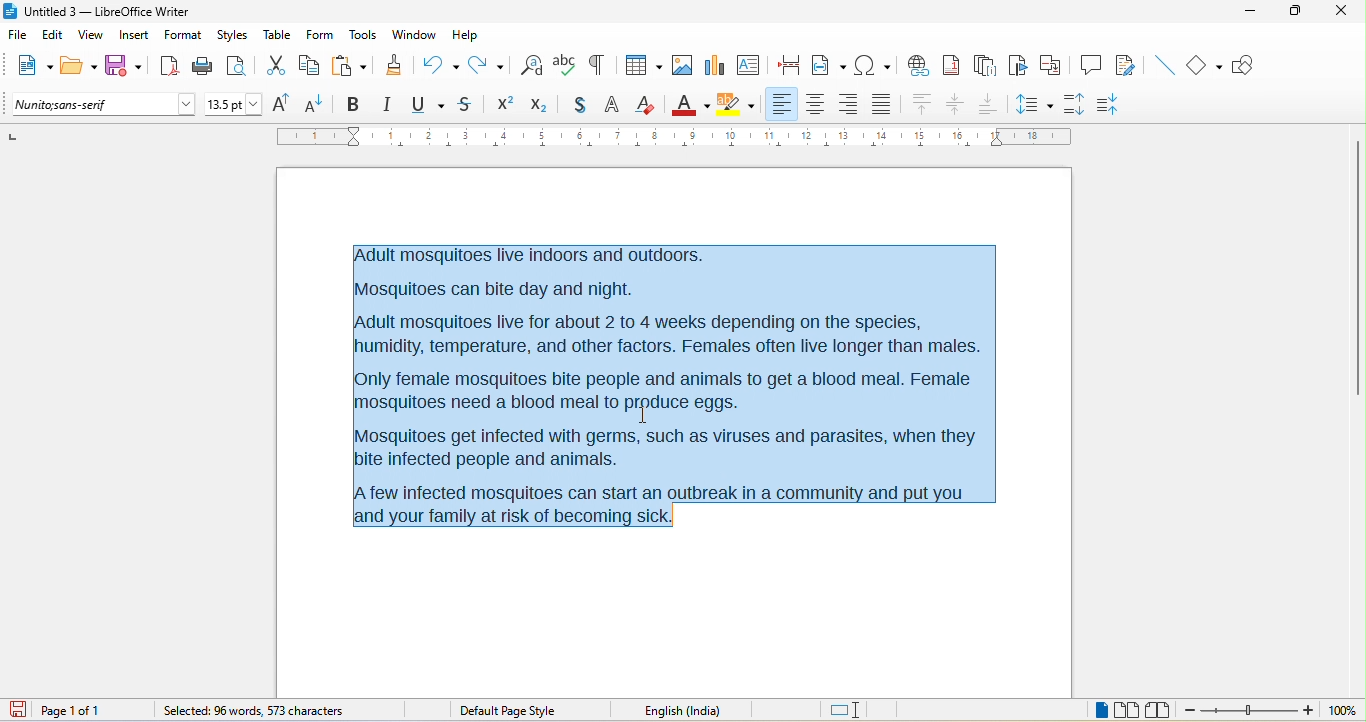 The height and width of the screenshot is (722, 1366). What do you see at coordinates (815, 105) in the screenshot?
I see `align center` at bounding box center [815, 105].